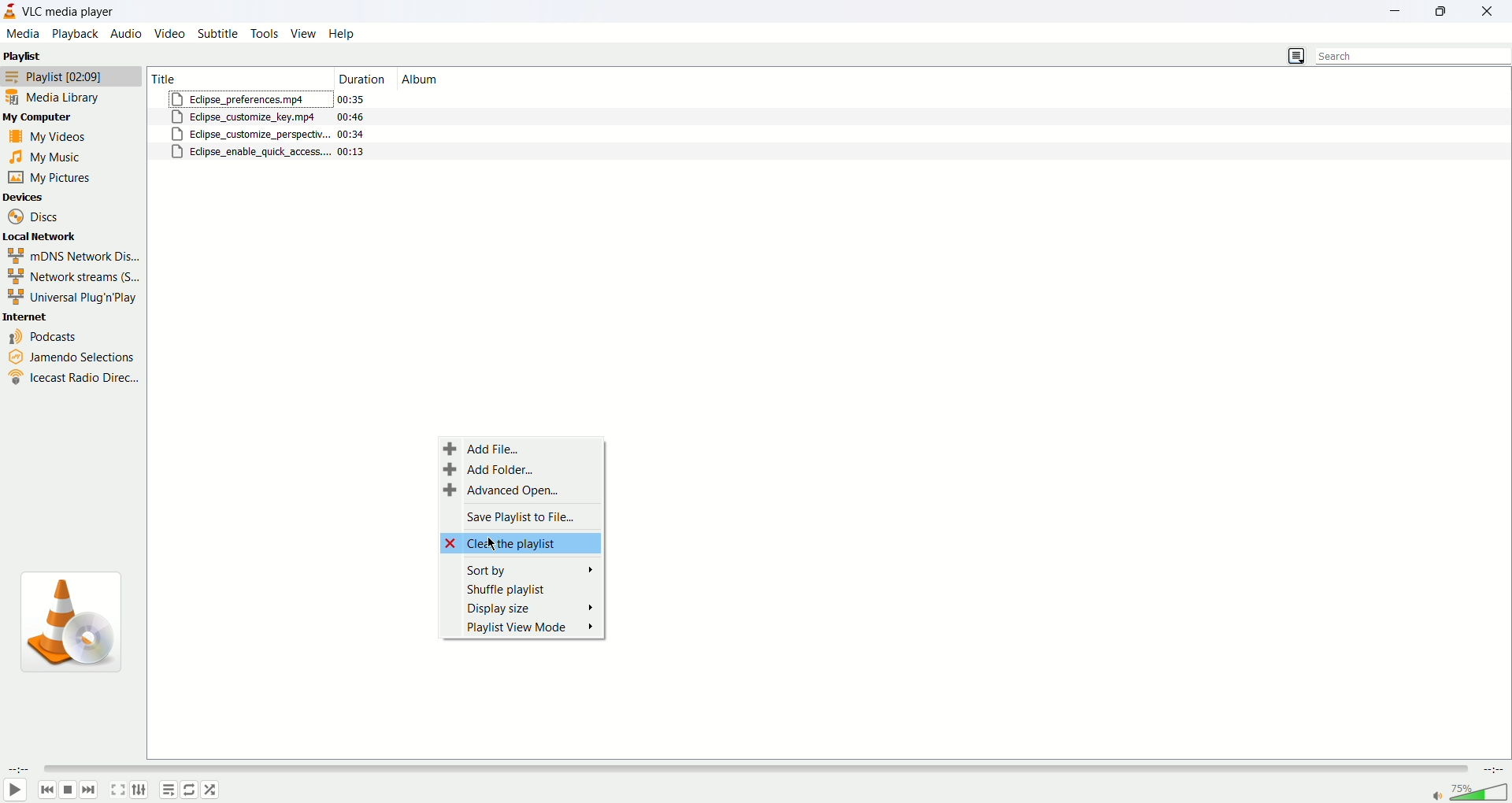 The image size is (1512, 803). I want to click on icecast radio, so click(72, 379).